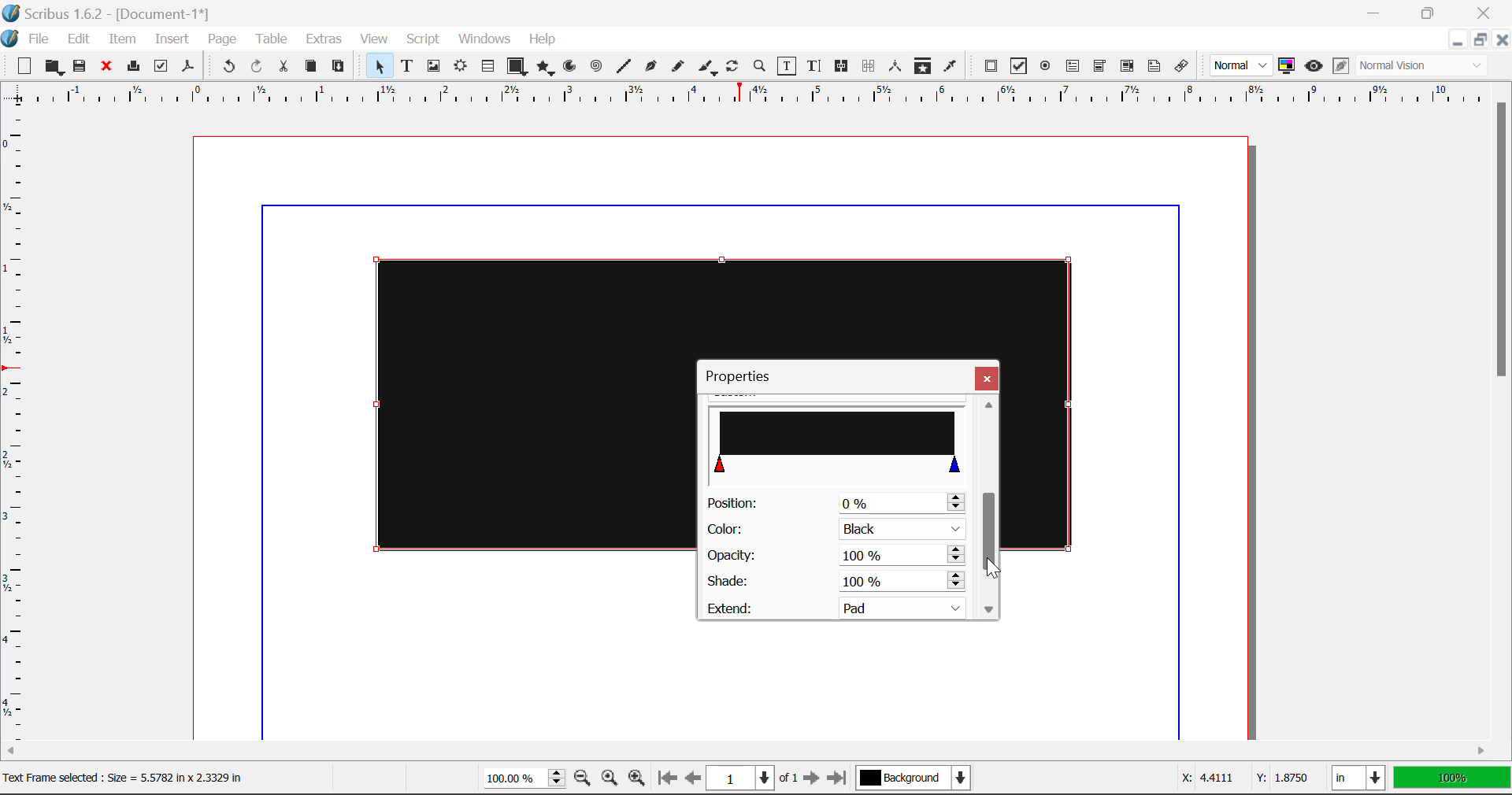 Image resolution: width=1512 pixels, height=795 pixels. What do you see at coordinates (840, 781) in the screenshot?
I see `Last Page` at bounding box center [840, 781].